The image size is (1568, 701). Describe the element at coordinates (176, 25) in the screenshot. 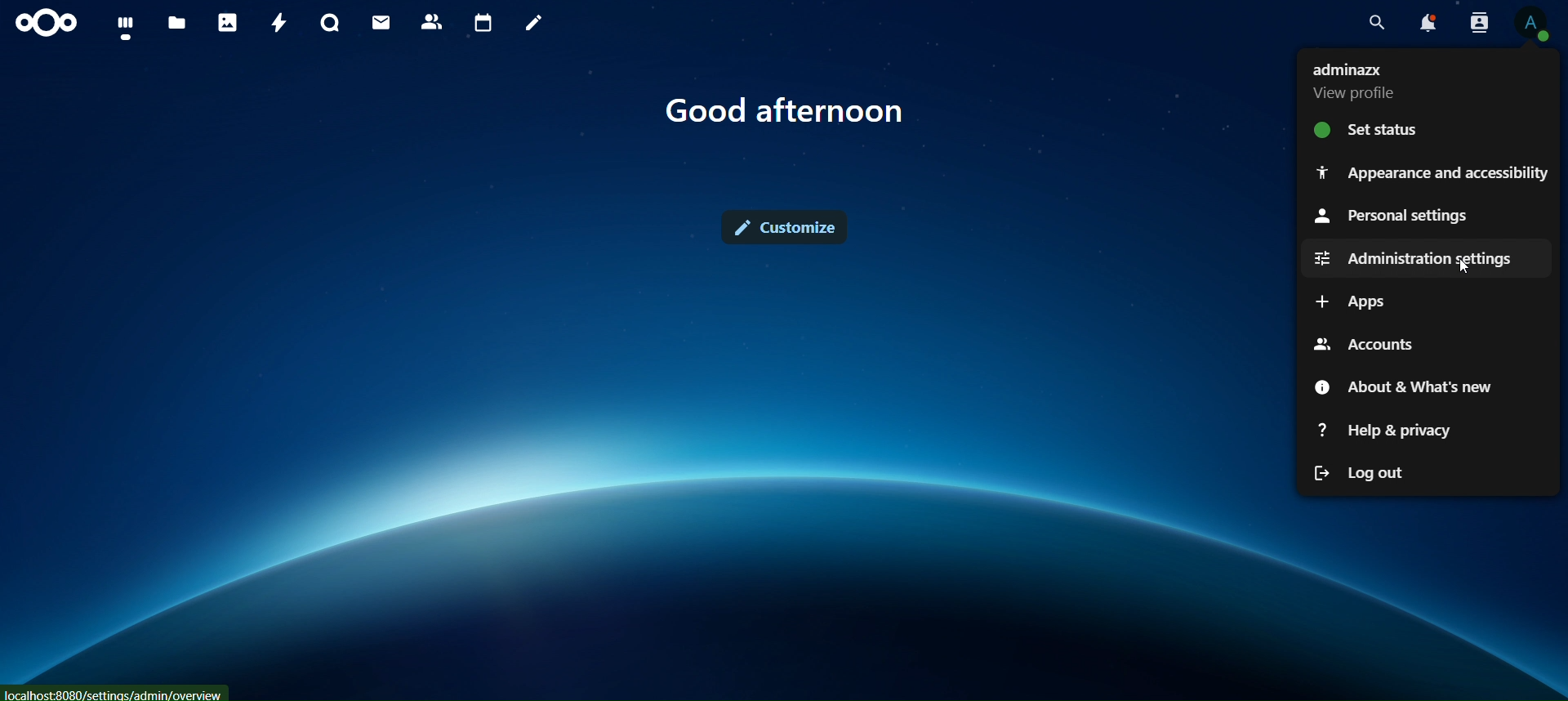

I see `files` at that location.